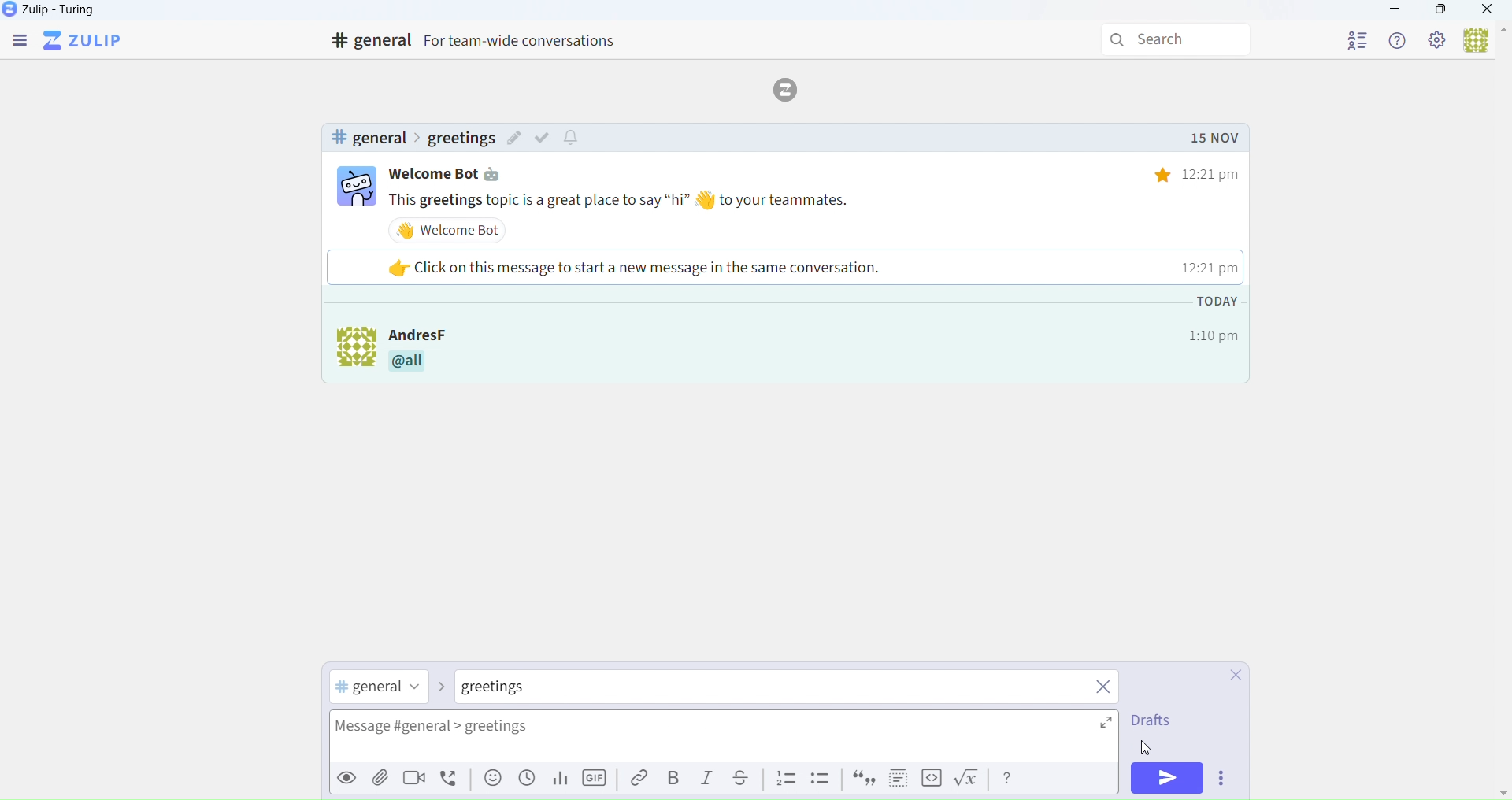 Image resolution: width=1512 pixels, height=800 pixels. I want to click on Stats, so click(558, 780).